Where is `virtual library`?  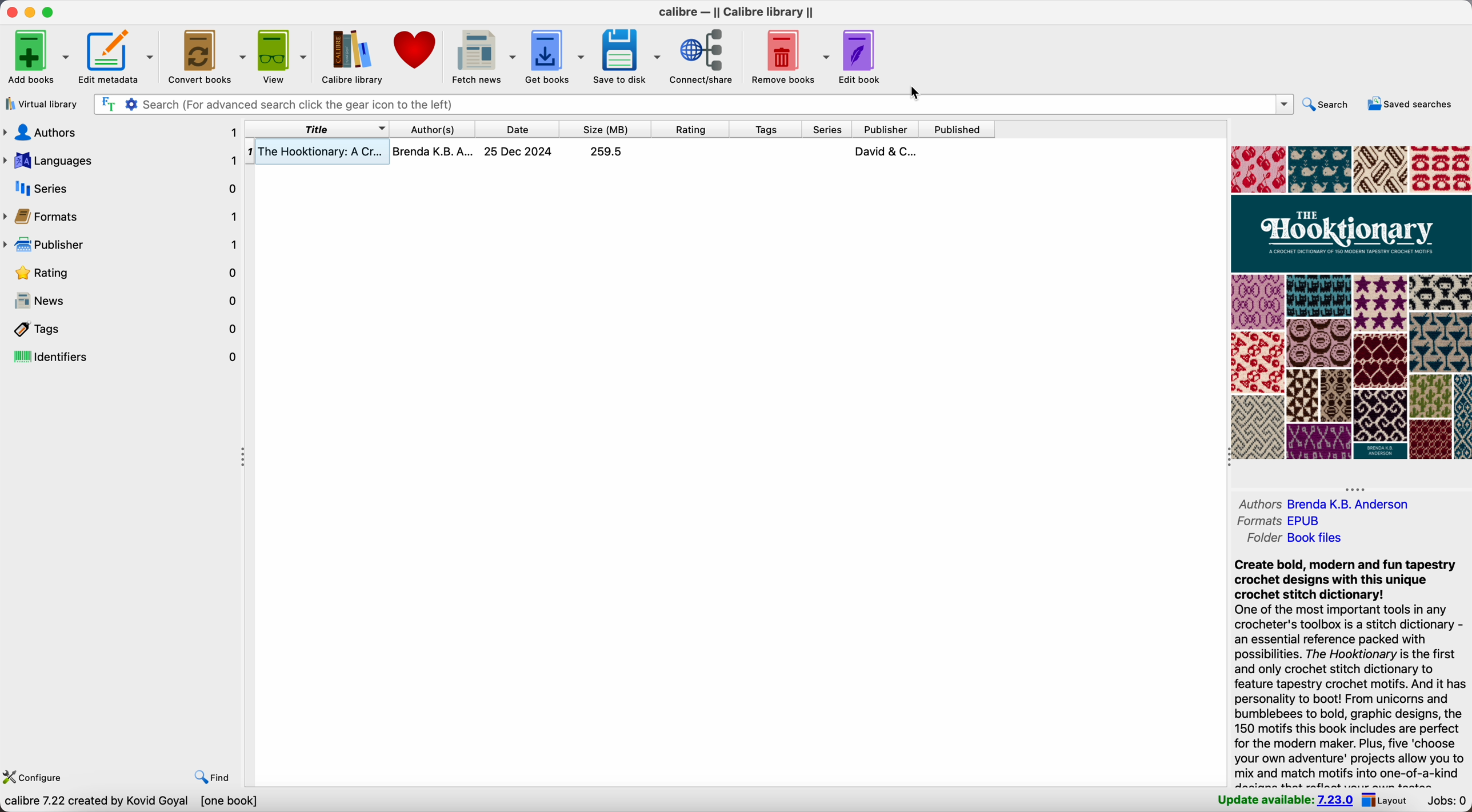
virtual library is located at coordinates (42, 104).